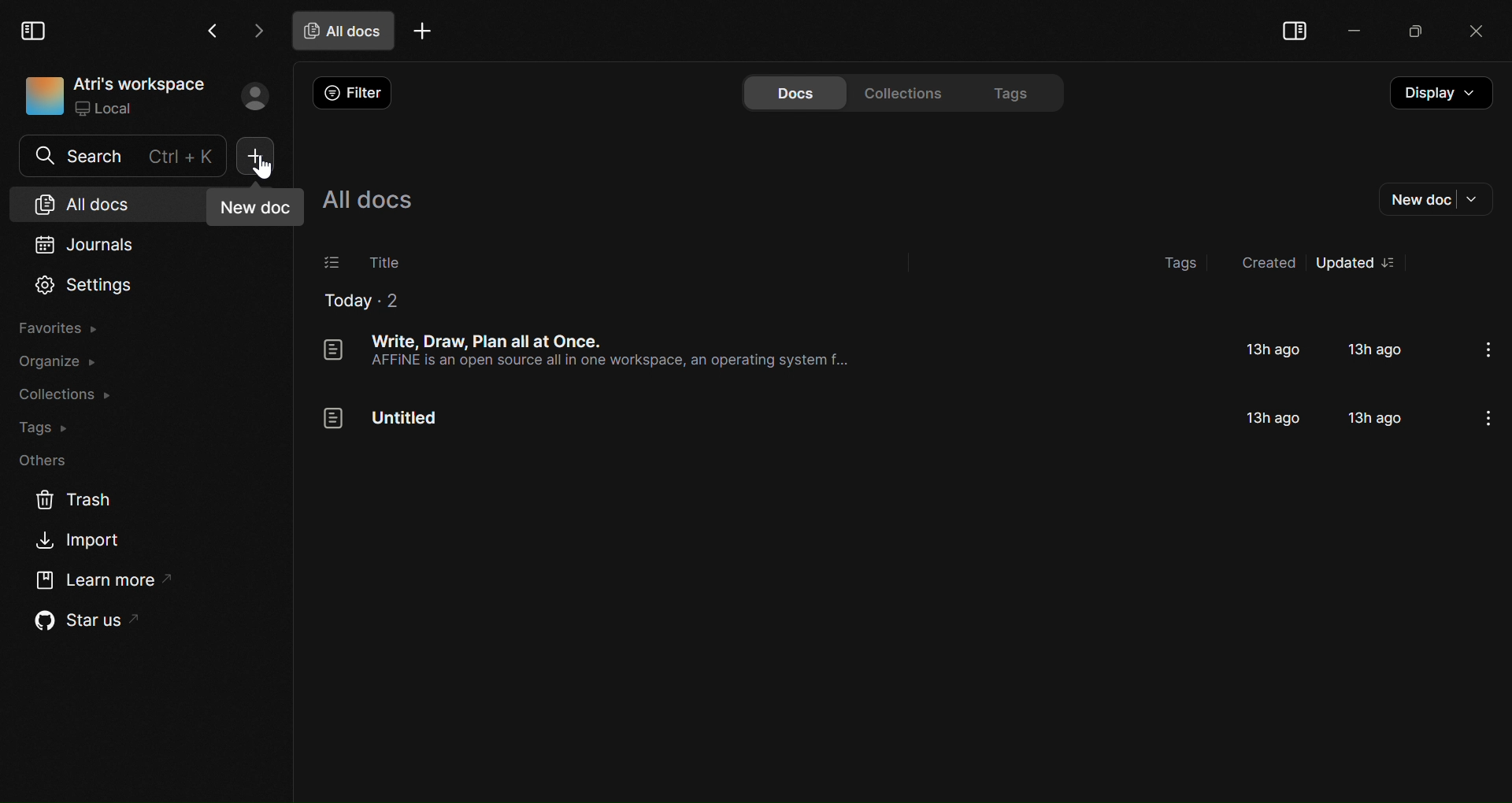 This screenshot has height=803, width=1512. What do you see at coordinates (83, 540) in the screenshot?
I see `Import` at bounding box center [83, 540].